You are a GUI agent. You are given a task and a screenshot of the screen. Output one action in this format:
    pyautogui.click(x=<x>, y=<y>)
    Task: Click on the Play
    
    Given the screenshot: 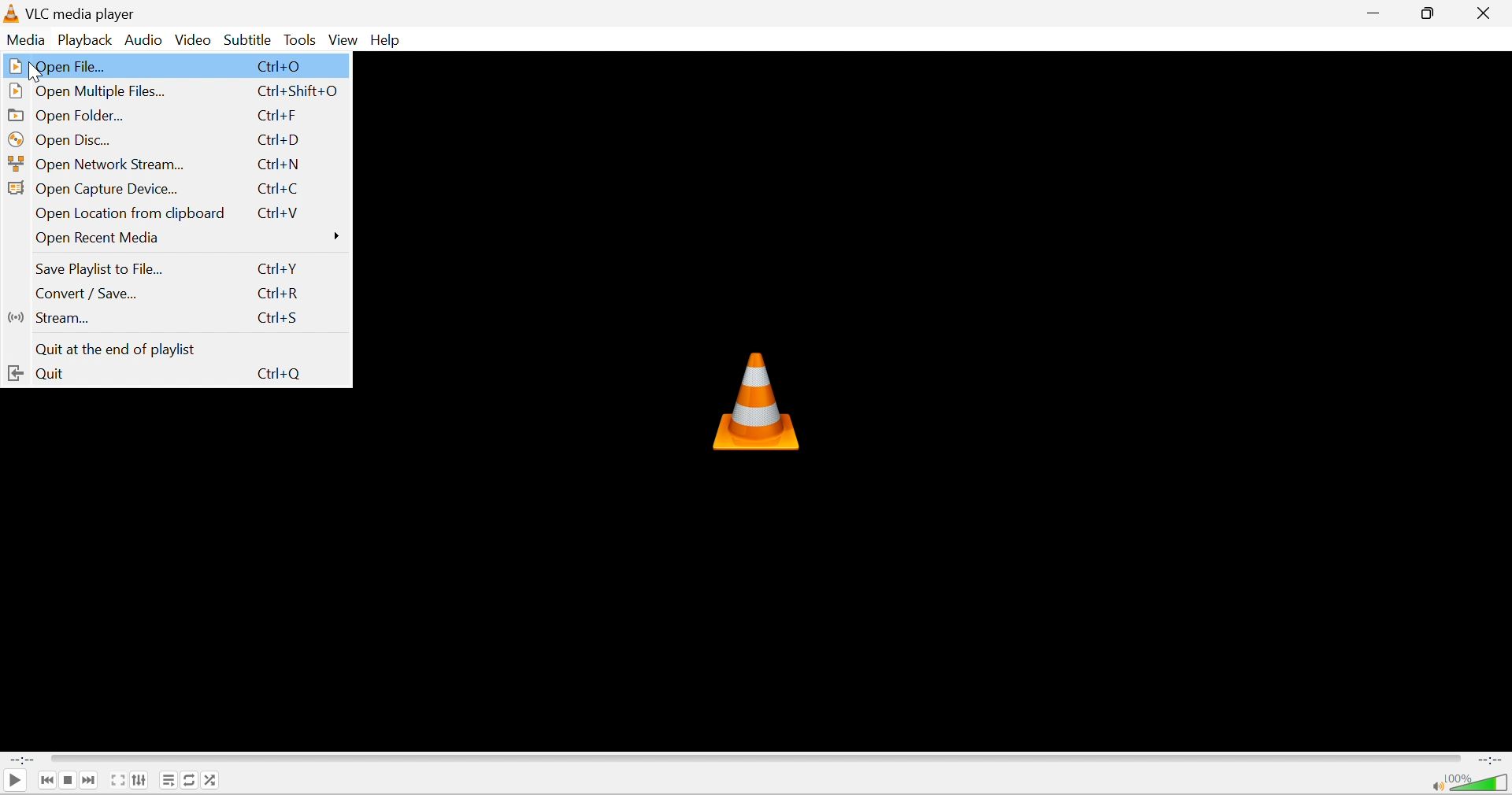 What is the action you would take?
    pyautogui.click(x=13, y=782)
    